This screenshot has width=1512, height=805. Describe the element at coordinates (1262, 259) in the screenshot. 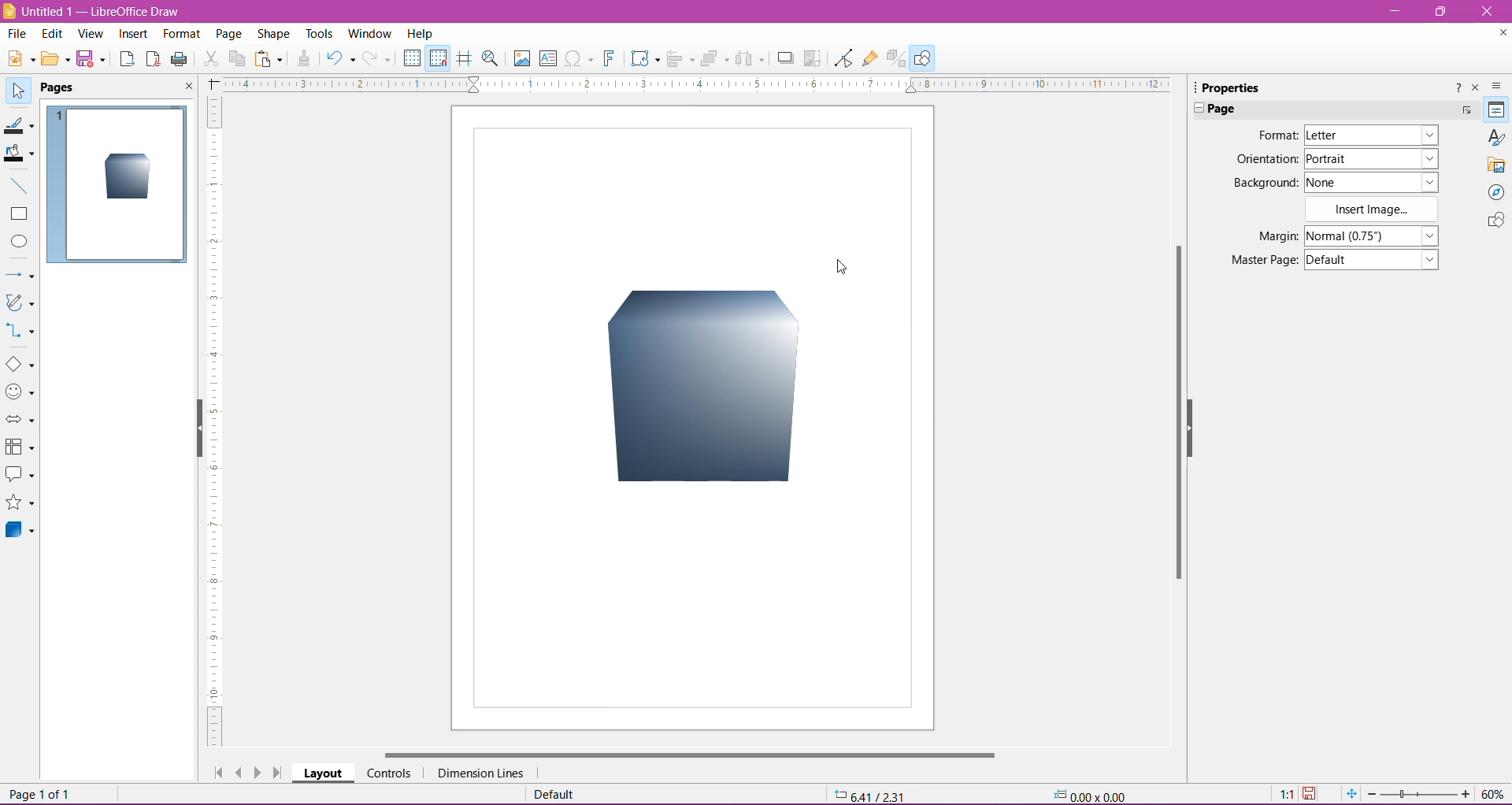

I see `Master Page` at that location.